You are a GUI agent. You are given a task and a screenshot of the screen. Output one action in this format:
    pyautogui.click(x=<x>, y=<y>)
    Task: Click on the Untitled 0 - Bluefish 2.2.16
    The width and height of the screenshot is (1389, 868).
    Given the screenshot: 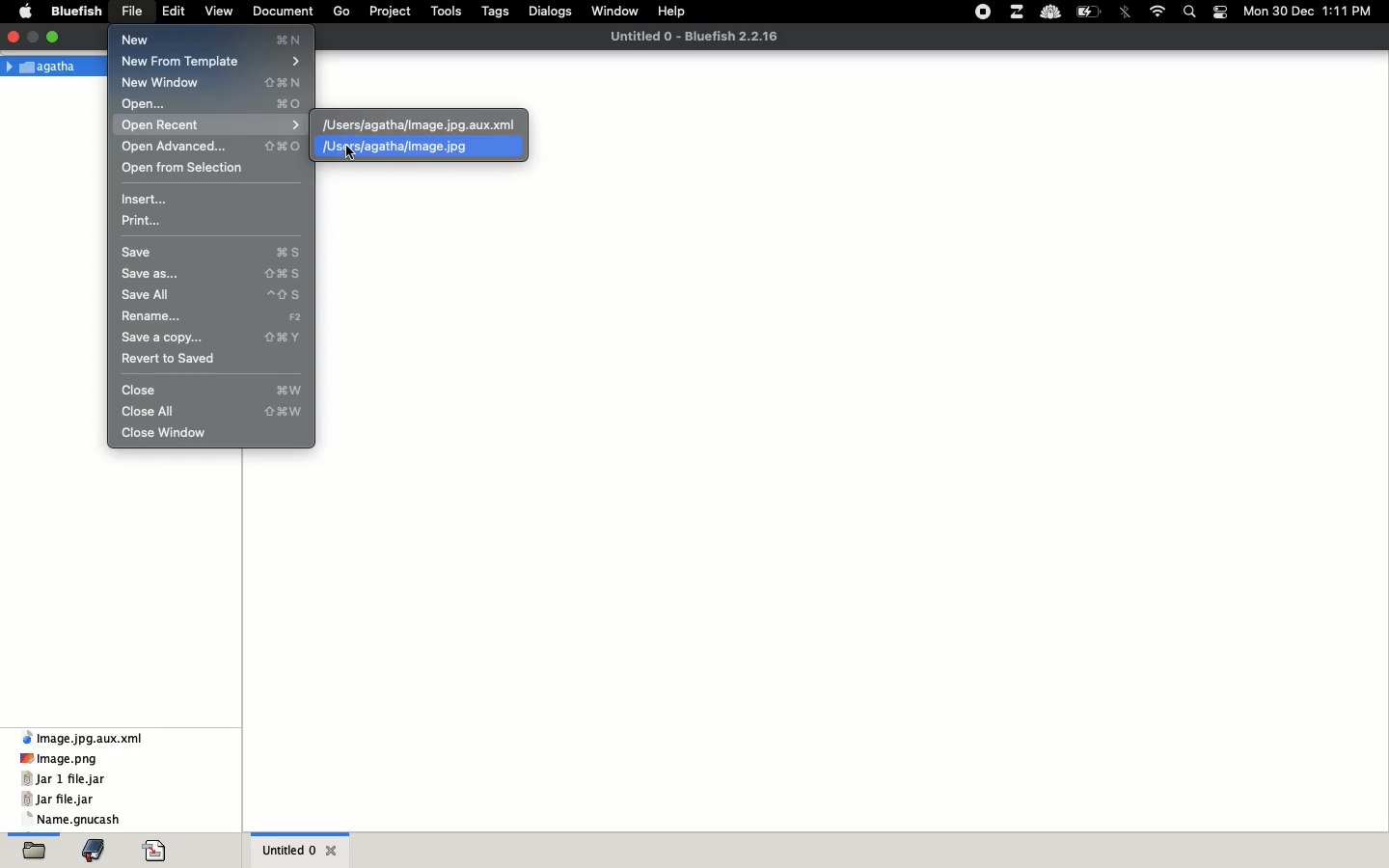 What is the action you would take?
    pyautogui.click(x=694, y=36)
    